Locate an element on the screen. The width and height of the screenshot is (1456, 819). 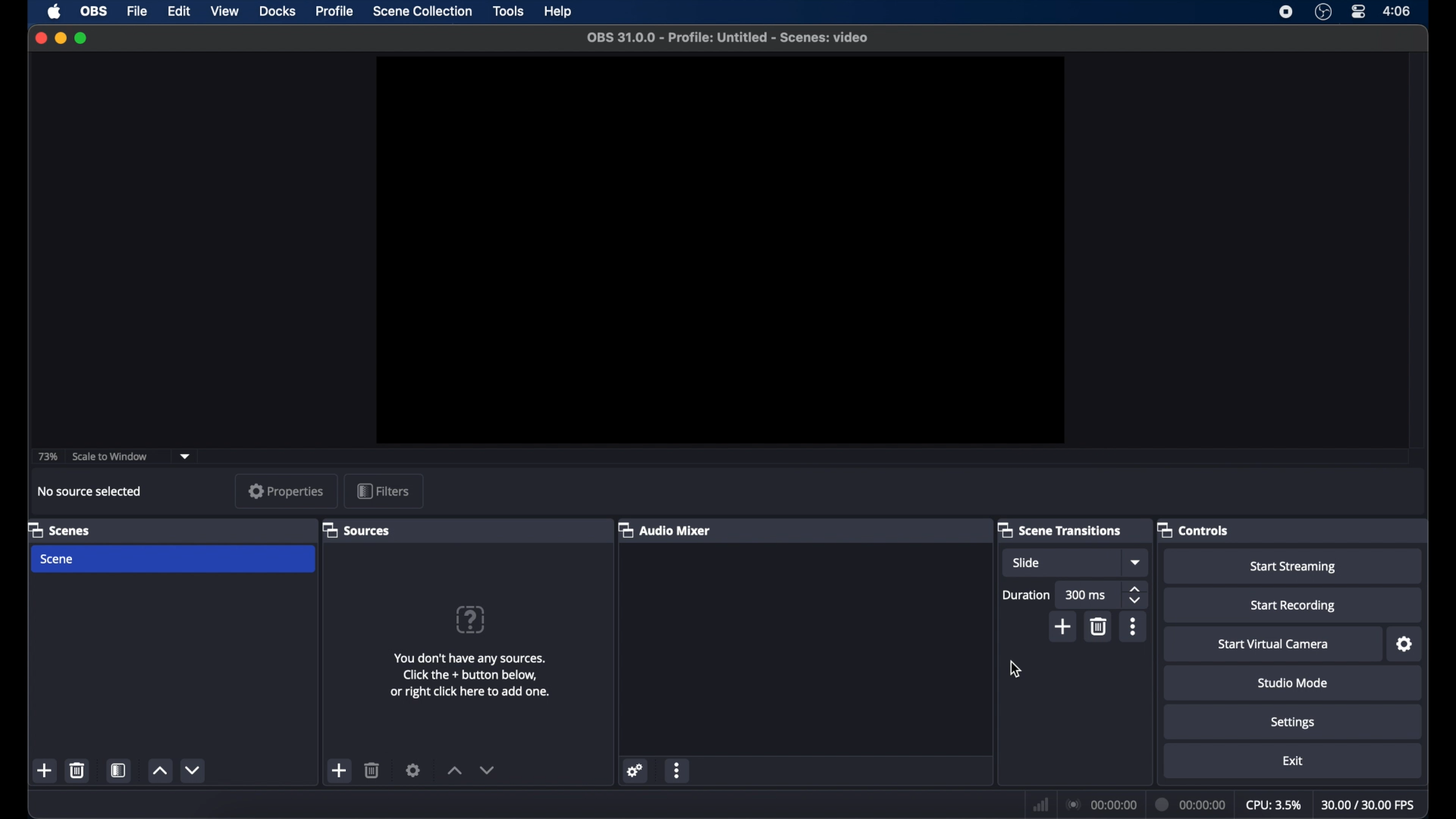
fps is located at coordinates (1370, 805).